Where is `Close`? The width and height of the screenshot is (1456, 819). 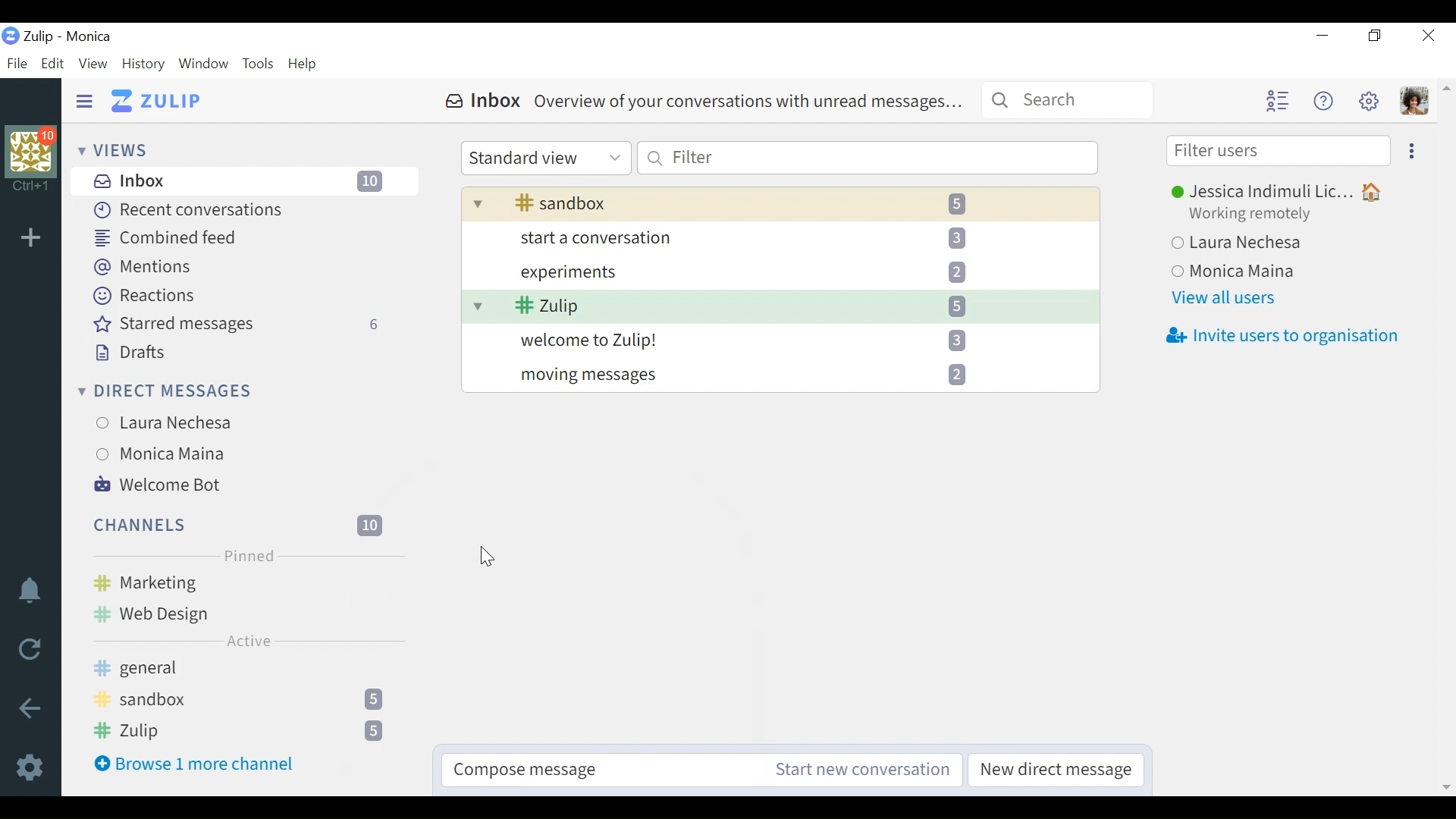
Close is located at coordinates (1430, 35).